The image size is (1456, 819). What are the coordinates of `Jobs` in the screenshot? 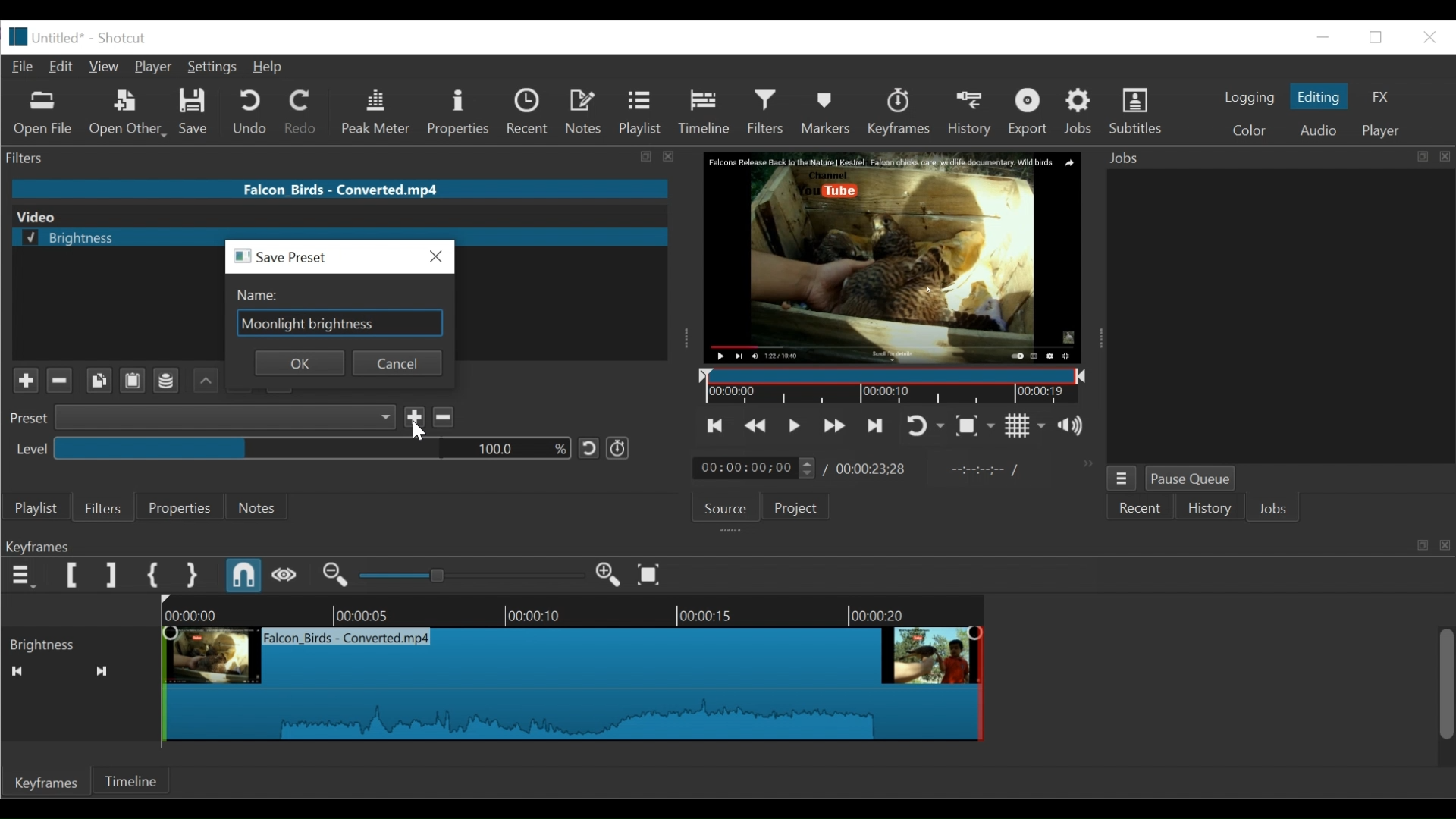 It's located at (1079, 113).